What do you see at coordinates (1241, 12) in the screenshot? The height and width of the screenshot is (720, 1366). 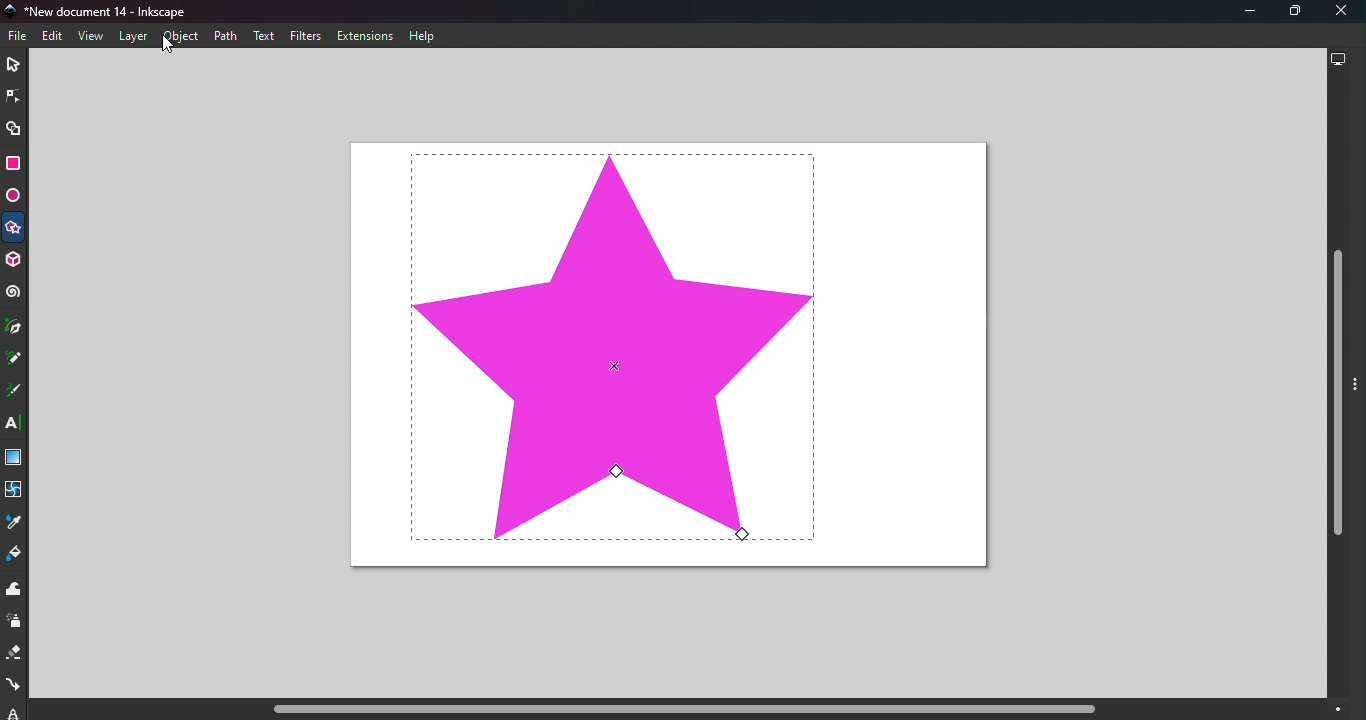 I see `Minimize ` at bounding box center [1241, 12].